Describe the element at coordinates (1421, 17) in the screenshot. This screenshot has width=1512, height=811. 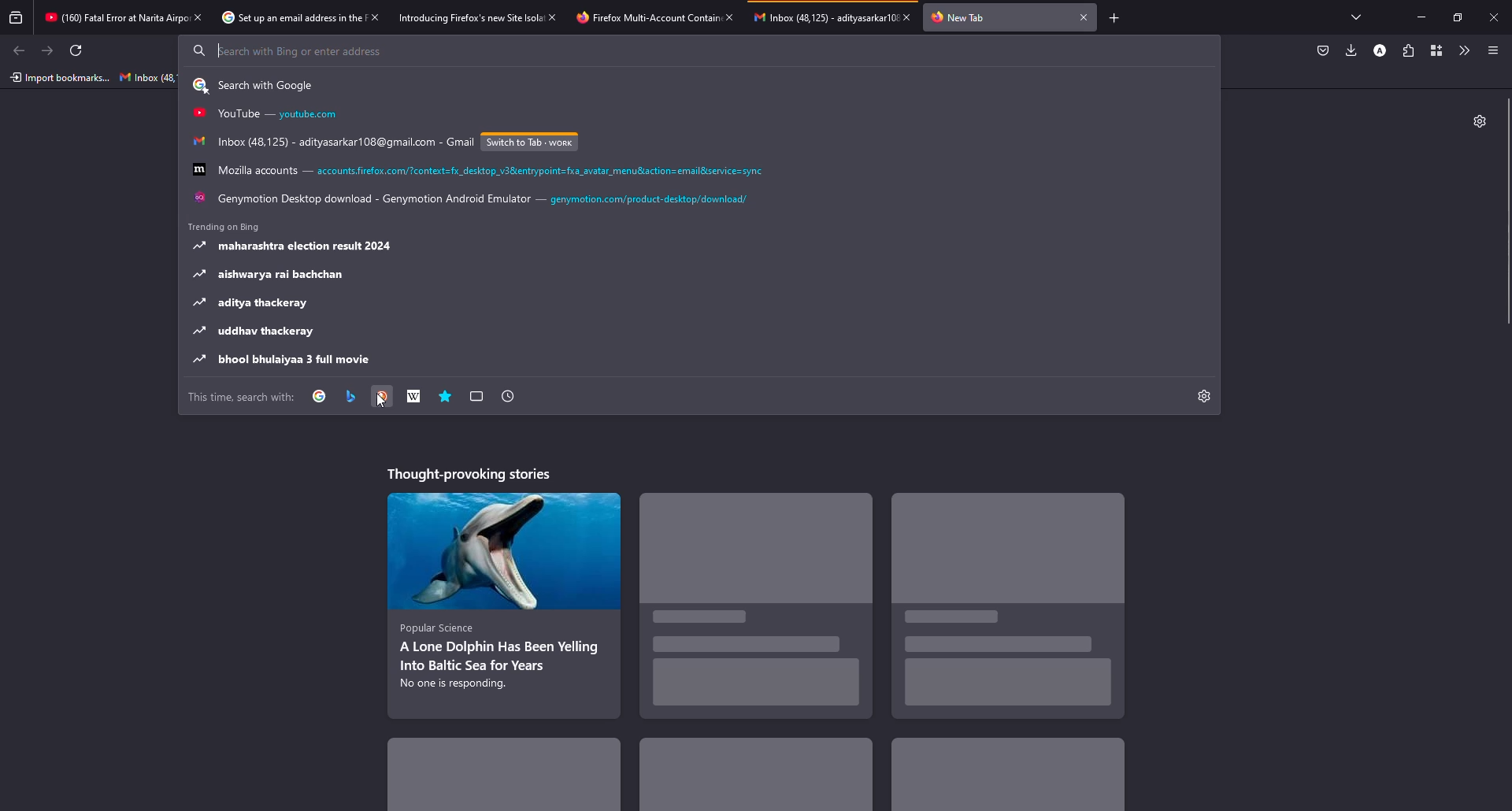
I see `minimize` at that location.